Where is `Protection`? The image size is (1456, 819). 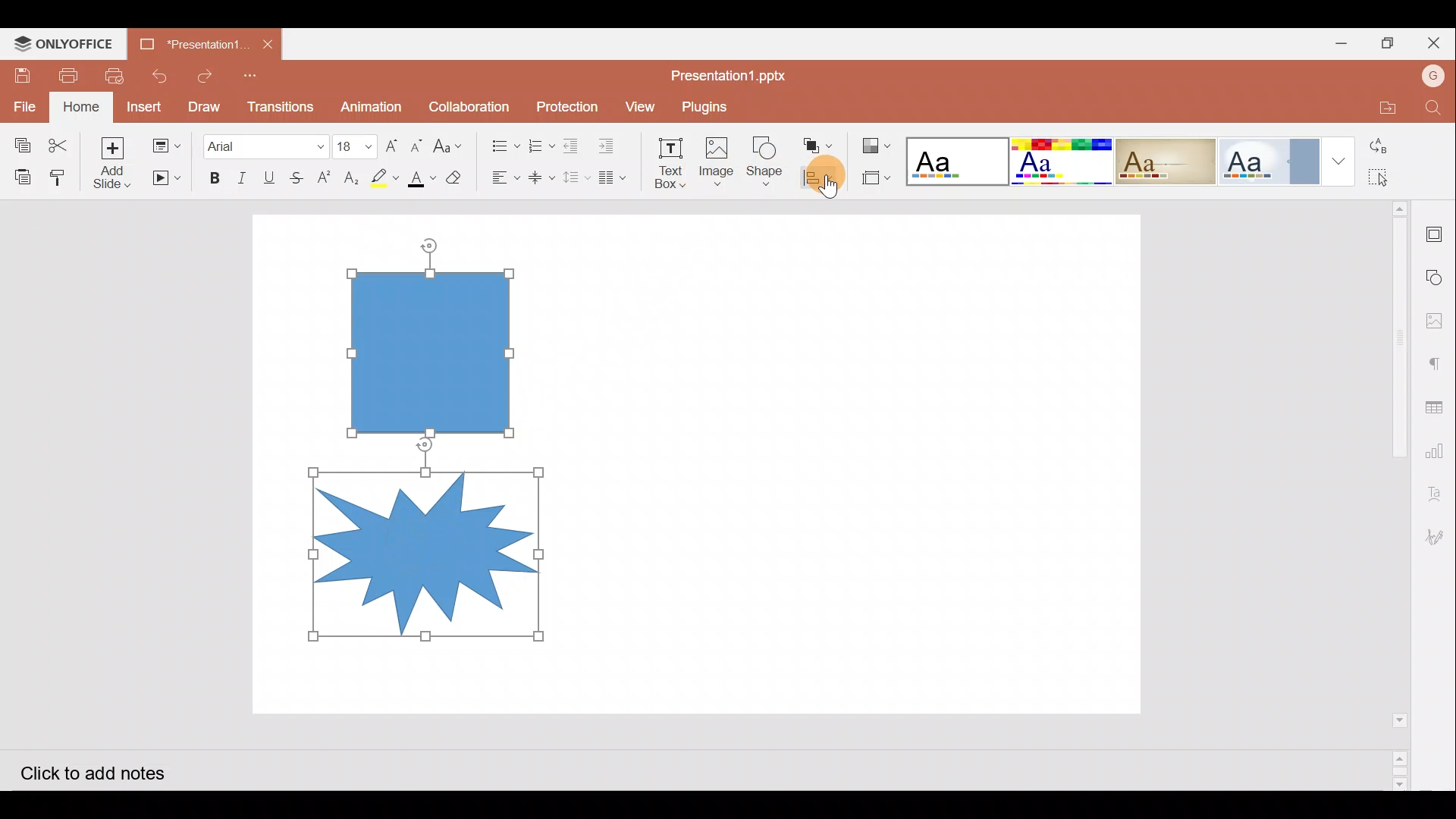 Protection is located at coordinates (563, 105).